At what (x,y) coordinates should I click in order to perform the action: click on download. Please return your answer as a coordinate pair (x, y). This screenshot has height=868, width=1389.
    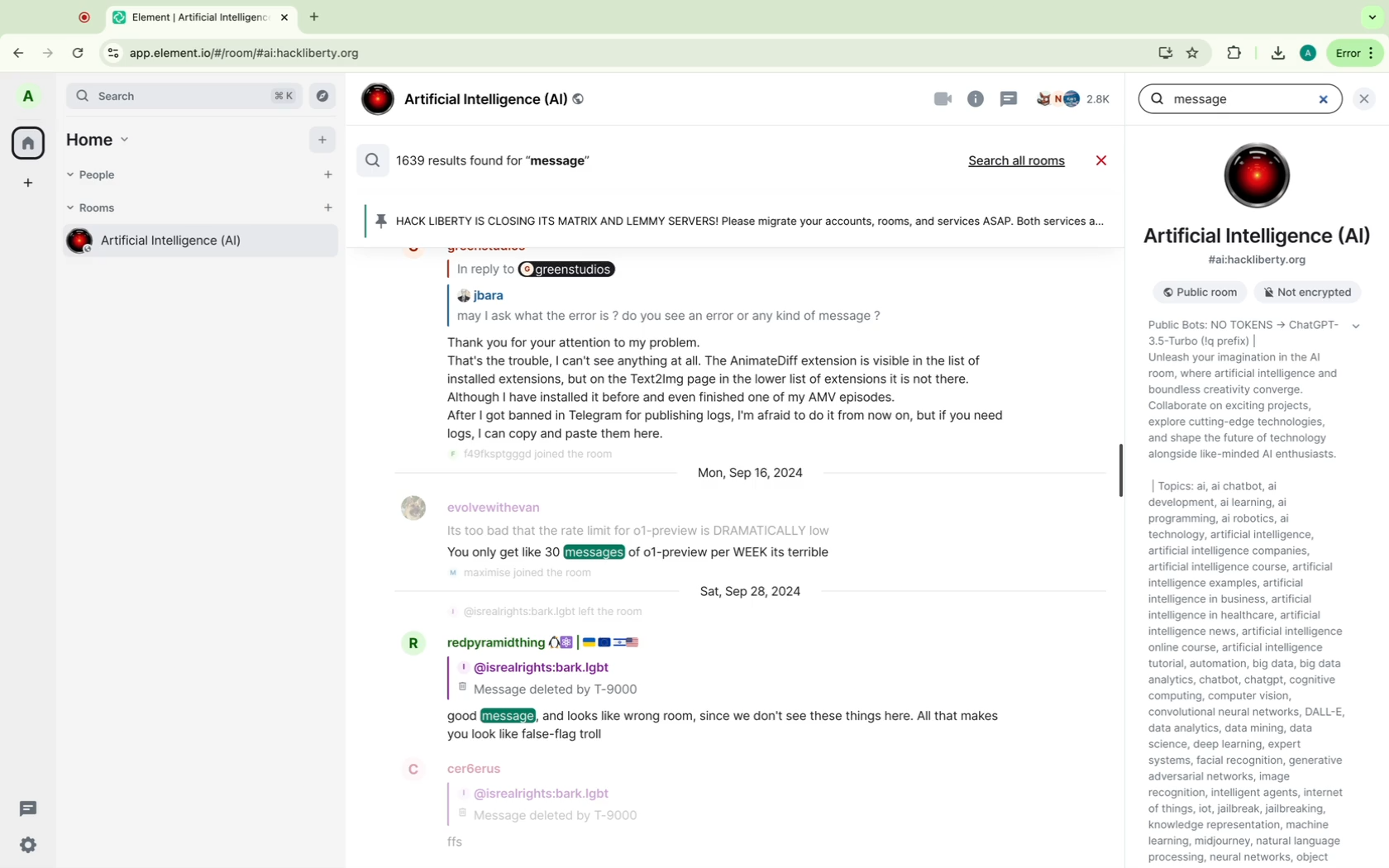
    Looking at the image, I should click on (1276, 54).